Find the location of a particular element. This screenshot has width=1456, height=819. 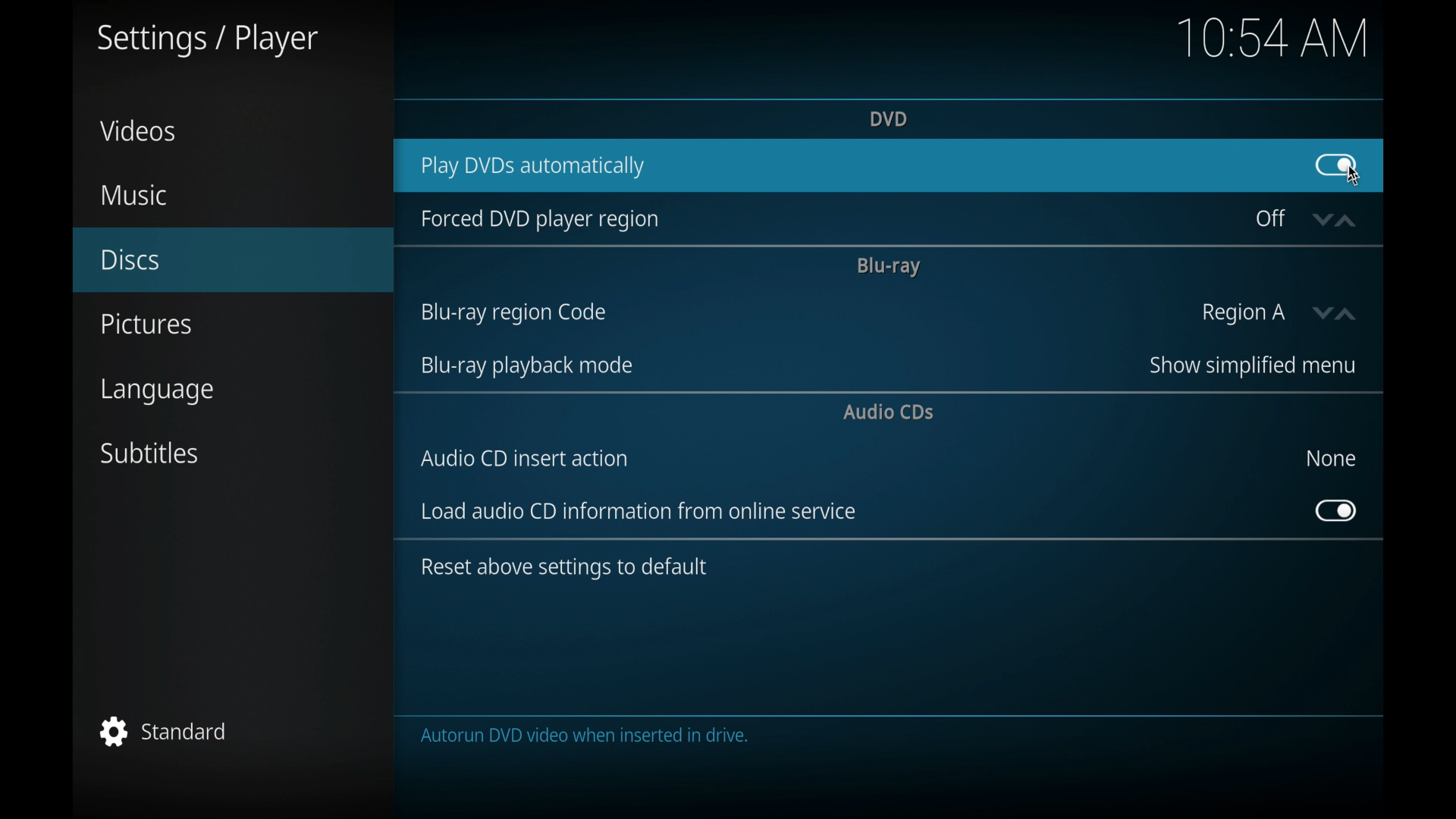

music is located at coordinates (133, 196).